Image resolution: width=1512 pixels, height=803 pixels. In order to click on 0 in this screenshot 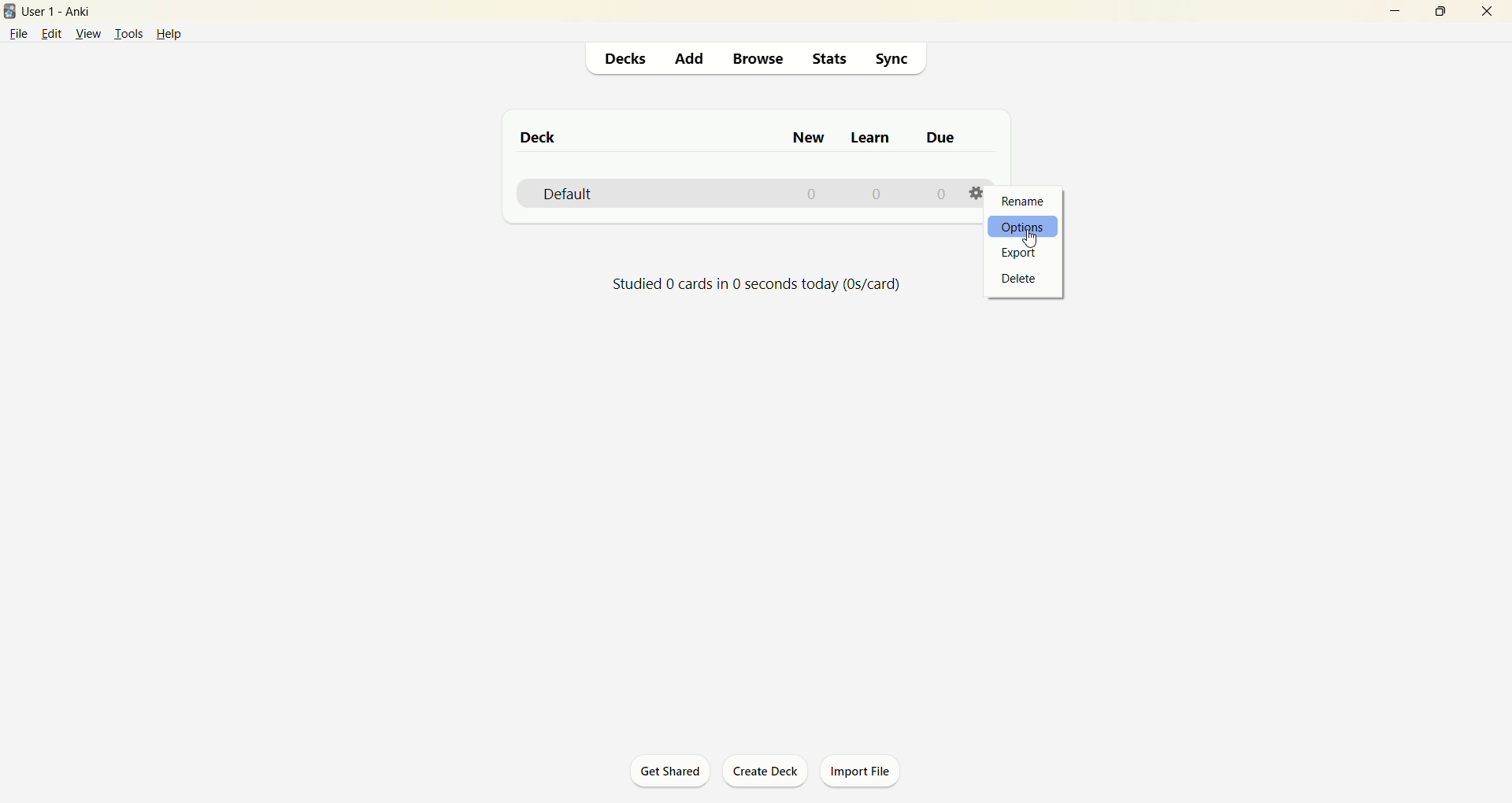, I will do `click(876, 194)`.